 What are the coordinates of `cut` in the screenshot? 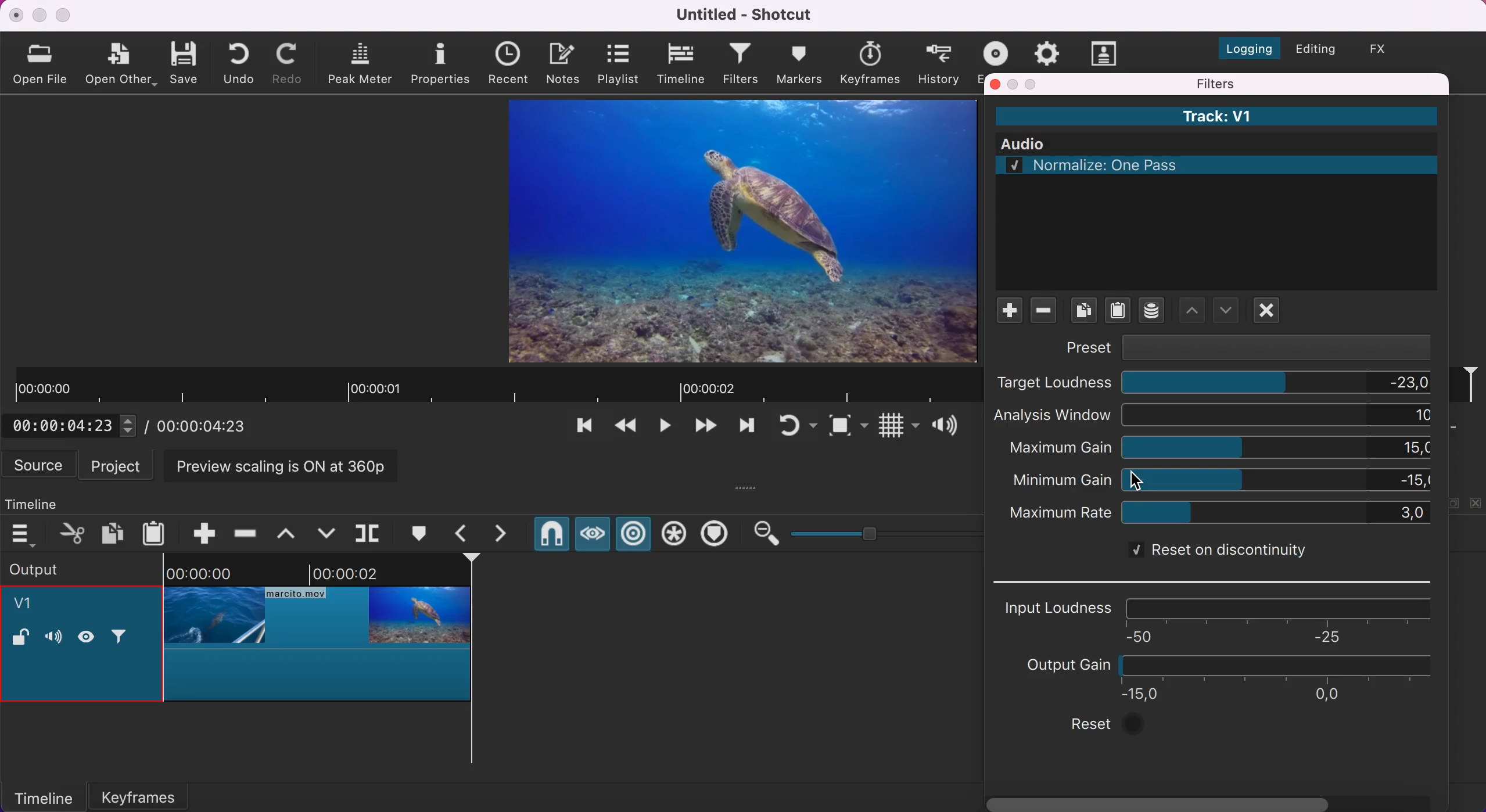 It's located at (73, 533).